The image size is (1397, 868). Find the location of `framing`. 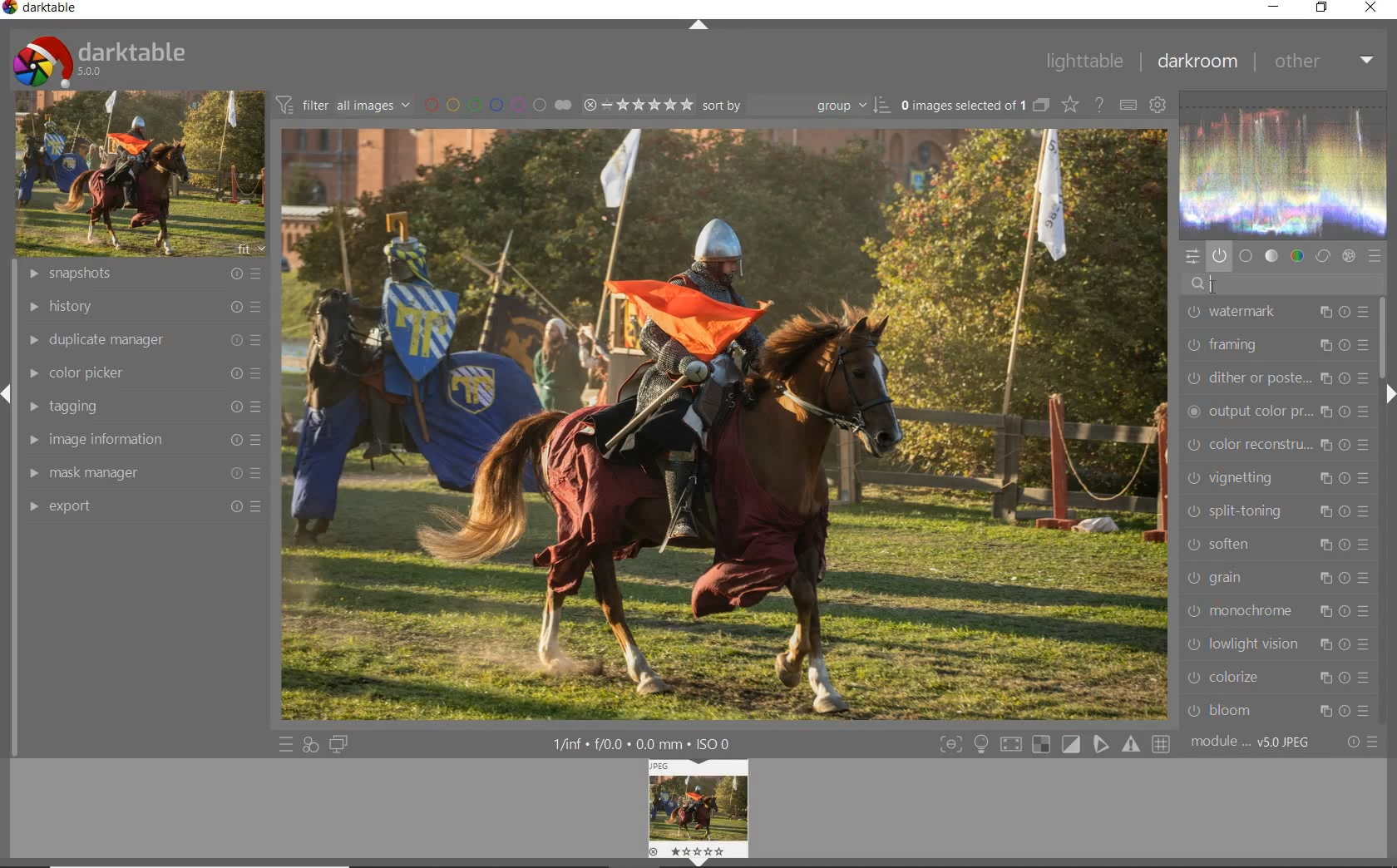

framing is located at coordinates (1273, 347).